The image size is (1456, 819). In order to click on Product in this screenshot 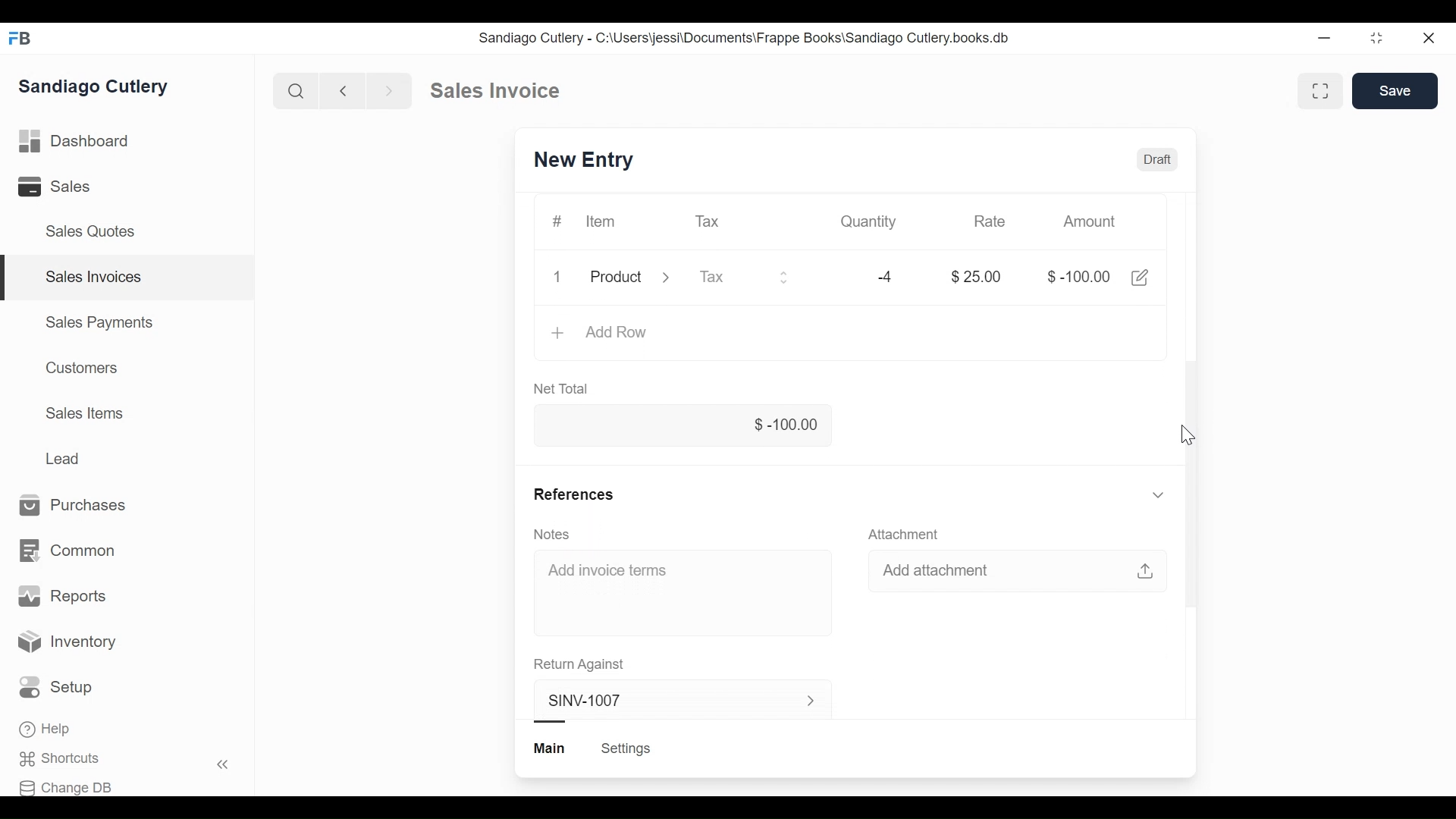, I will do `click(629, 278)`.